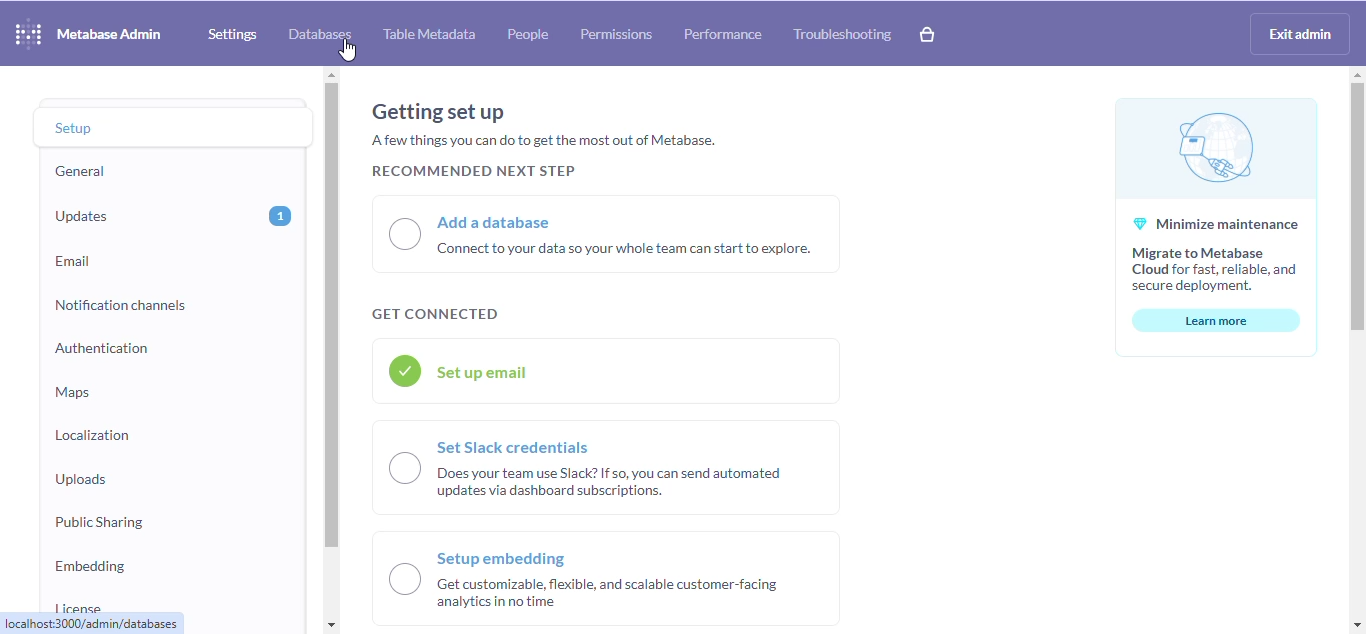 The image size is (1366, 634). What do you see at coordinates (232, 34) in the screenshot?
I see `settings` at bounding box center [232, 34].